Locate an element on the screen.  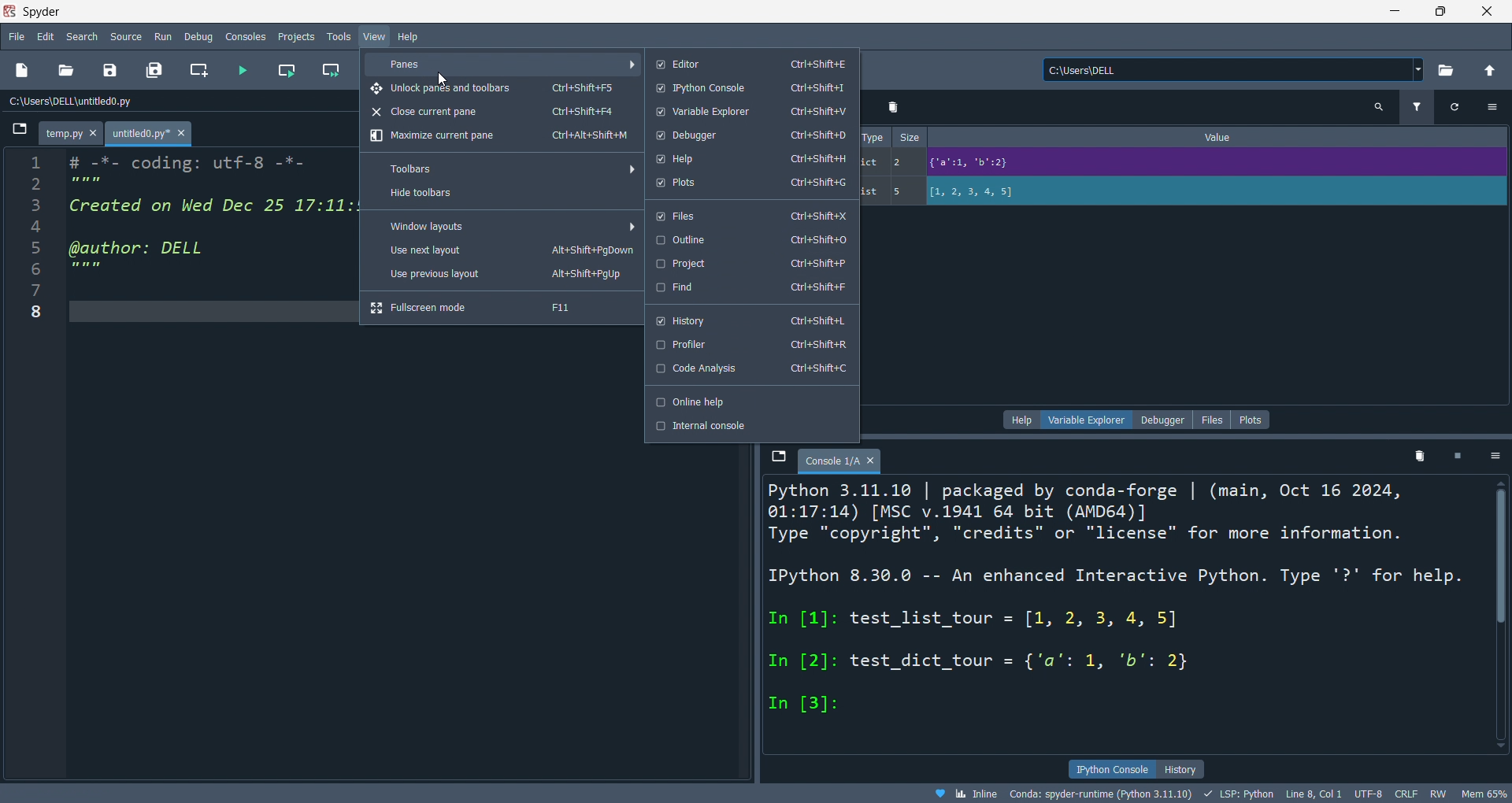
run is located at coordinates (161, 37).